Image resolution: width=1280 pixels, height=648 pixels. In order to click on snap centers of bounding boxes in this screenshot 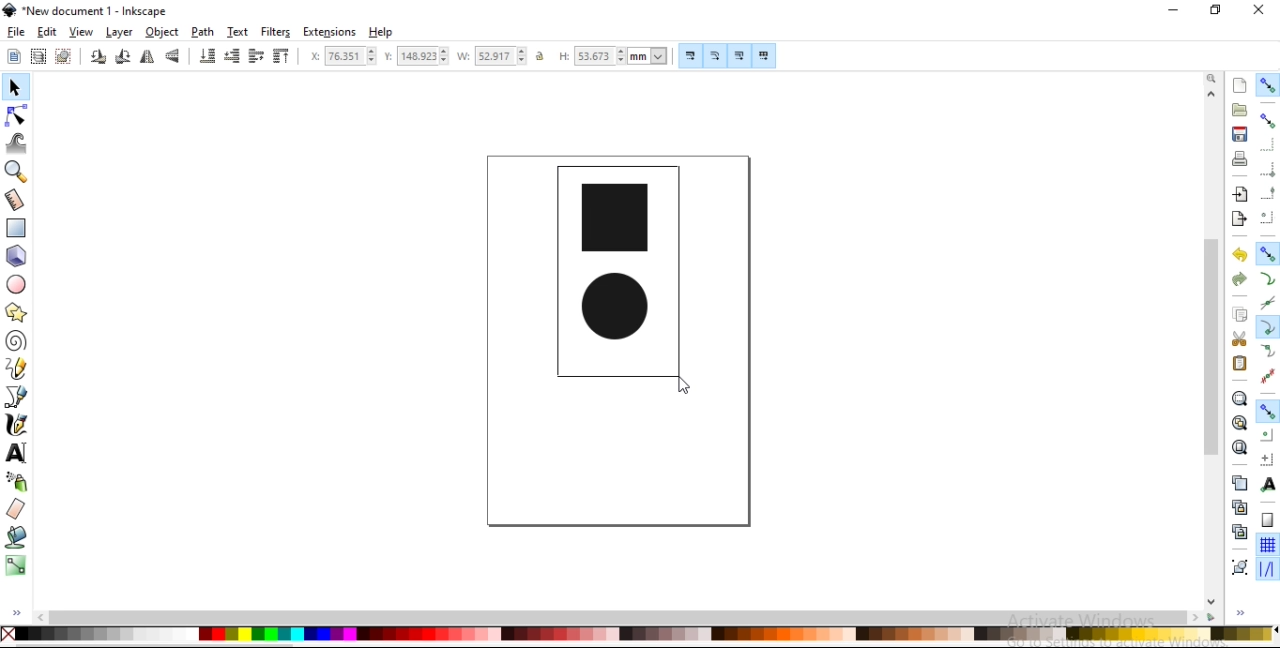, I will do `click(1265, 216)`.